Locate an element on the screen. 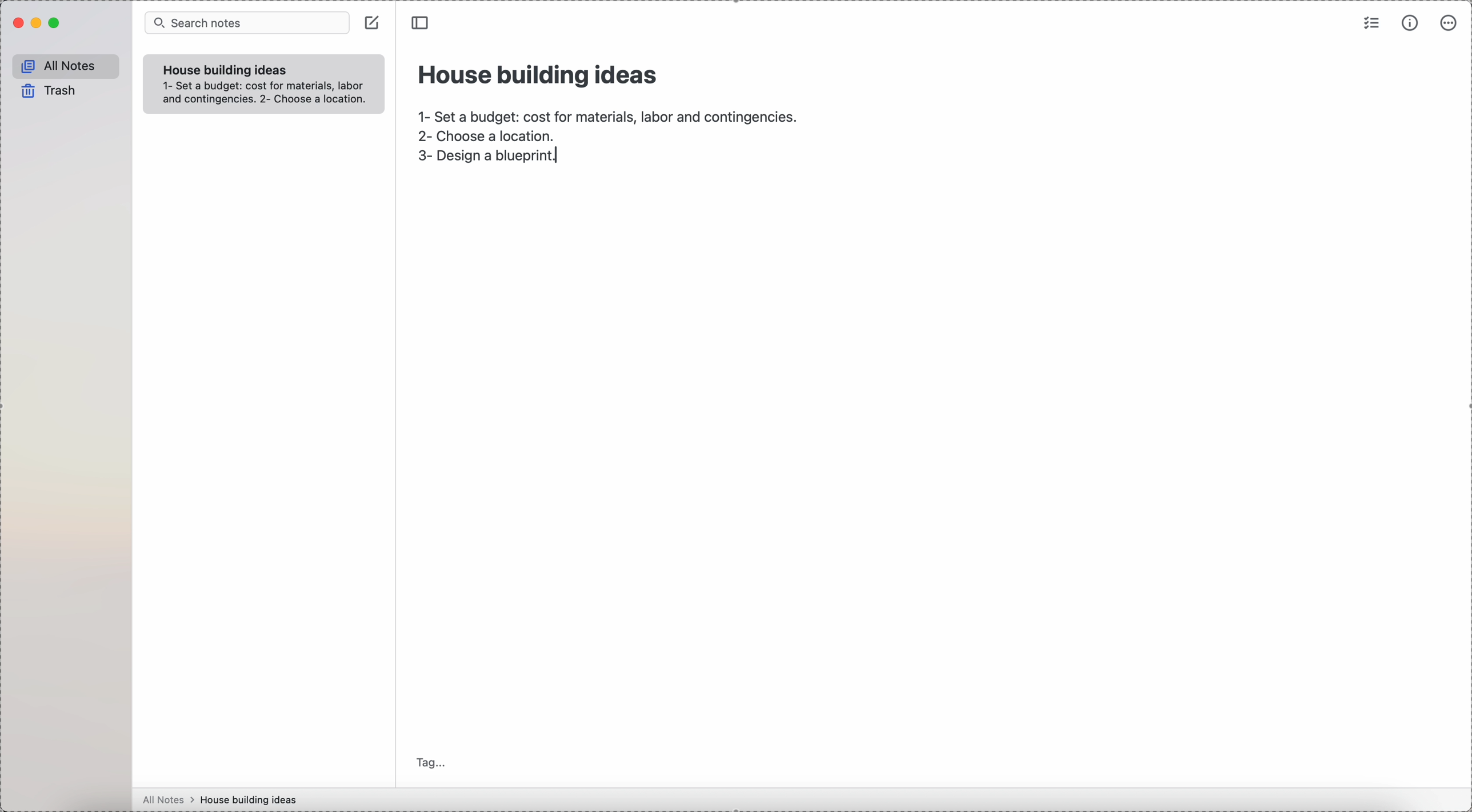  design a blueprint is located at coordinates (490, 161).